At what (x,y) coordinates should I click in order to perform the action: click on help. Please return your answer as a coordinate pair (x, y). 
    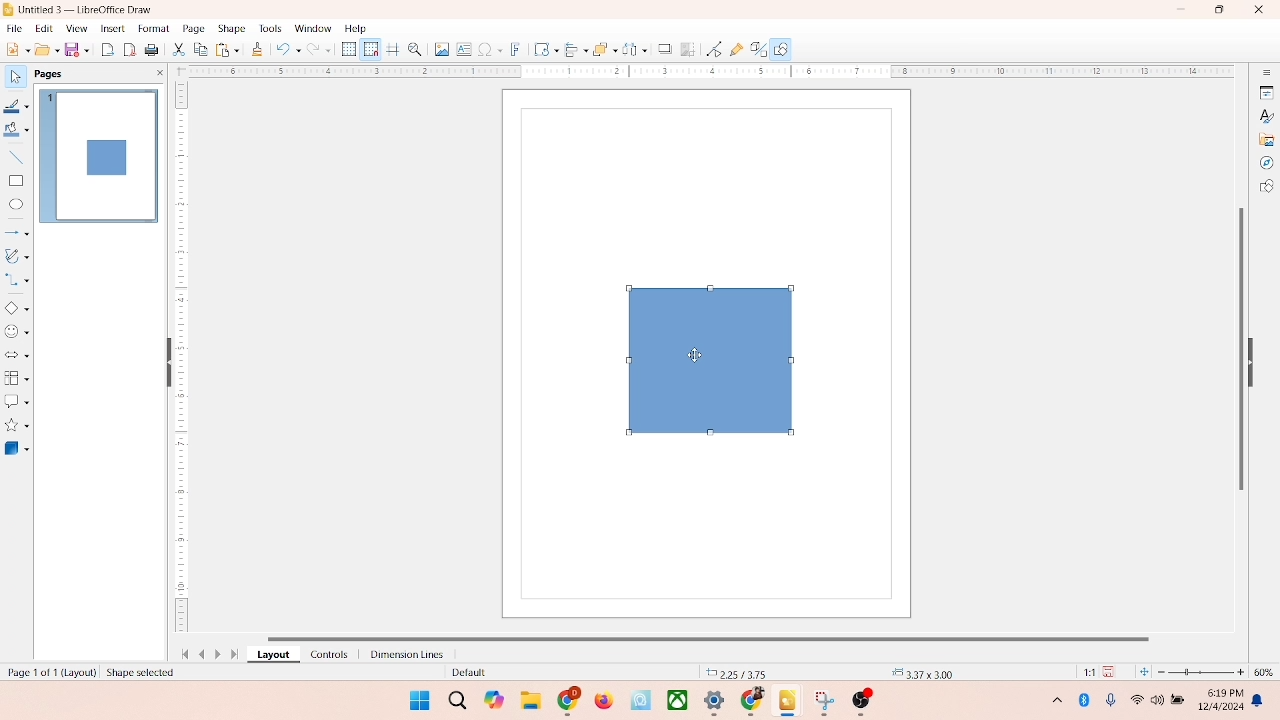
    Looking at the image, I should click on (356, 28).